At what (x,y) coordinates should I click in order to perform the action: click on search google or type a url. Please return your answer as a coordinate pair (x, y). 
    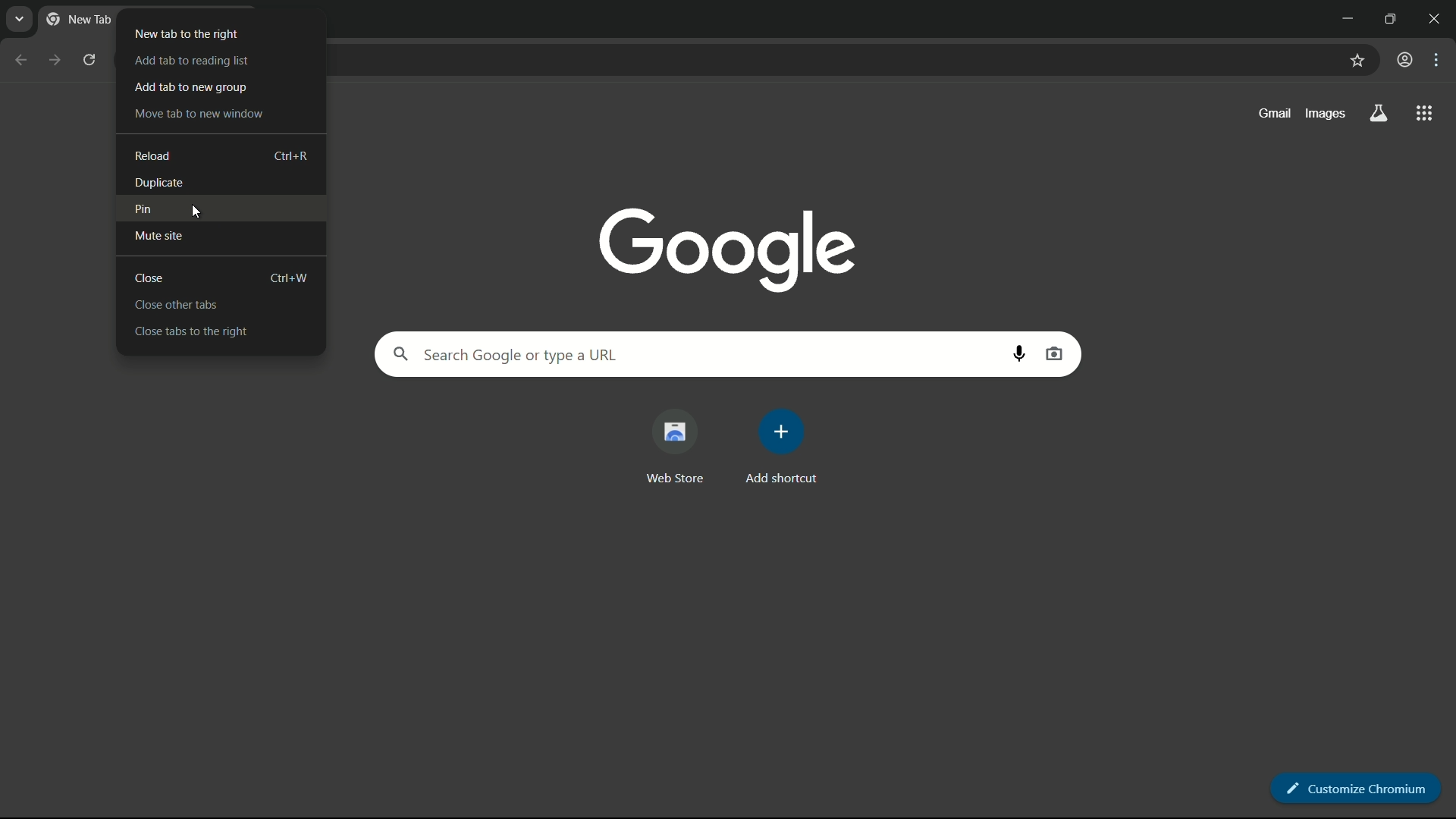
    Looking at the image, I should click on (689, 354).